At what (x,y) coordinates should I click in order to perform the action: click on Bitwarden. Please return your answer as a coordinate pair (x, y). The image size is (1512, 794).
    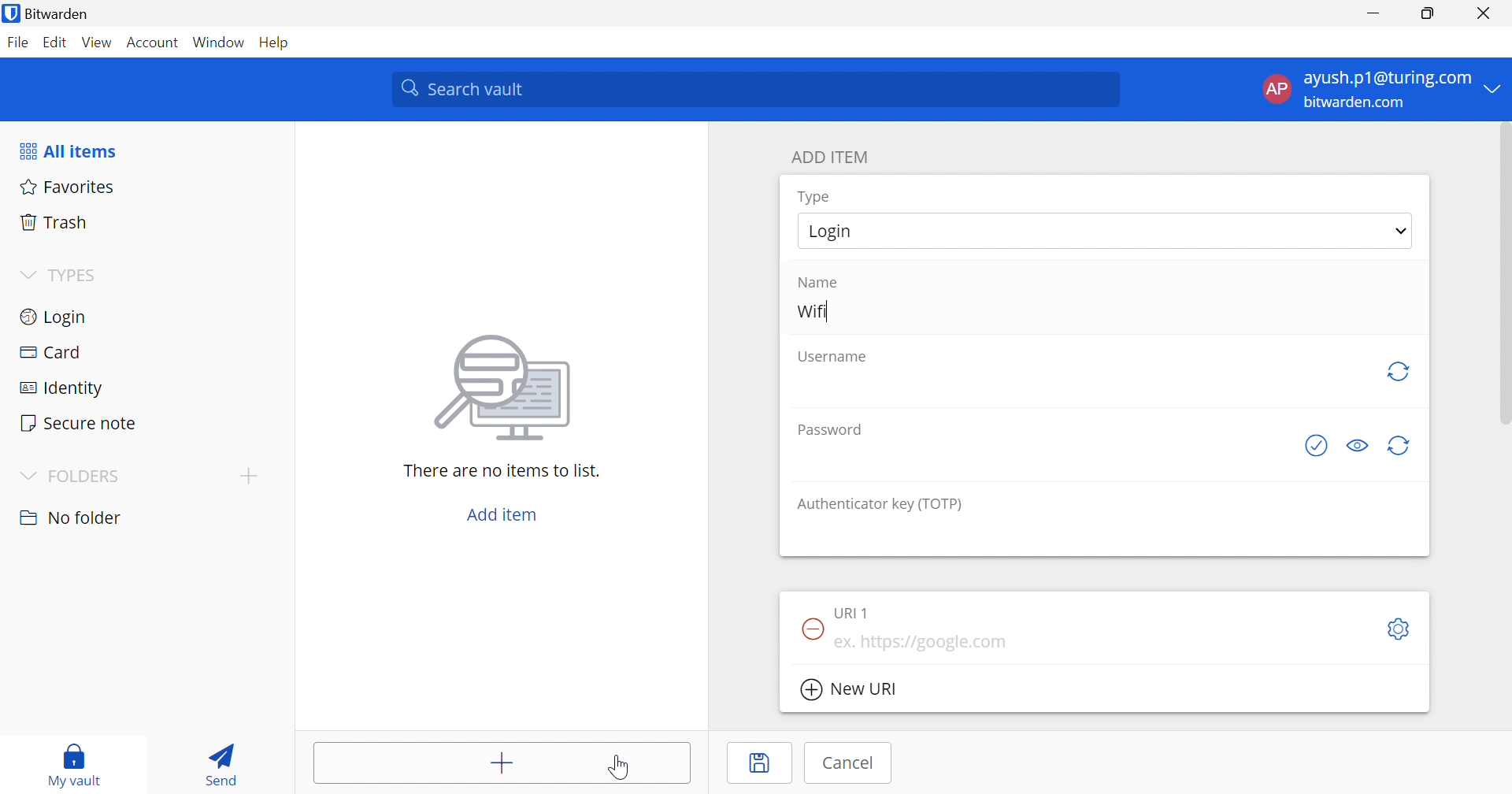
    Looking at the image, I should click on (48, 13).